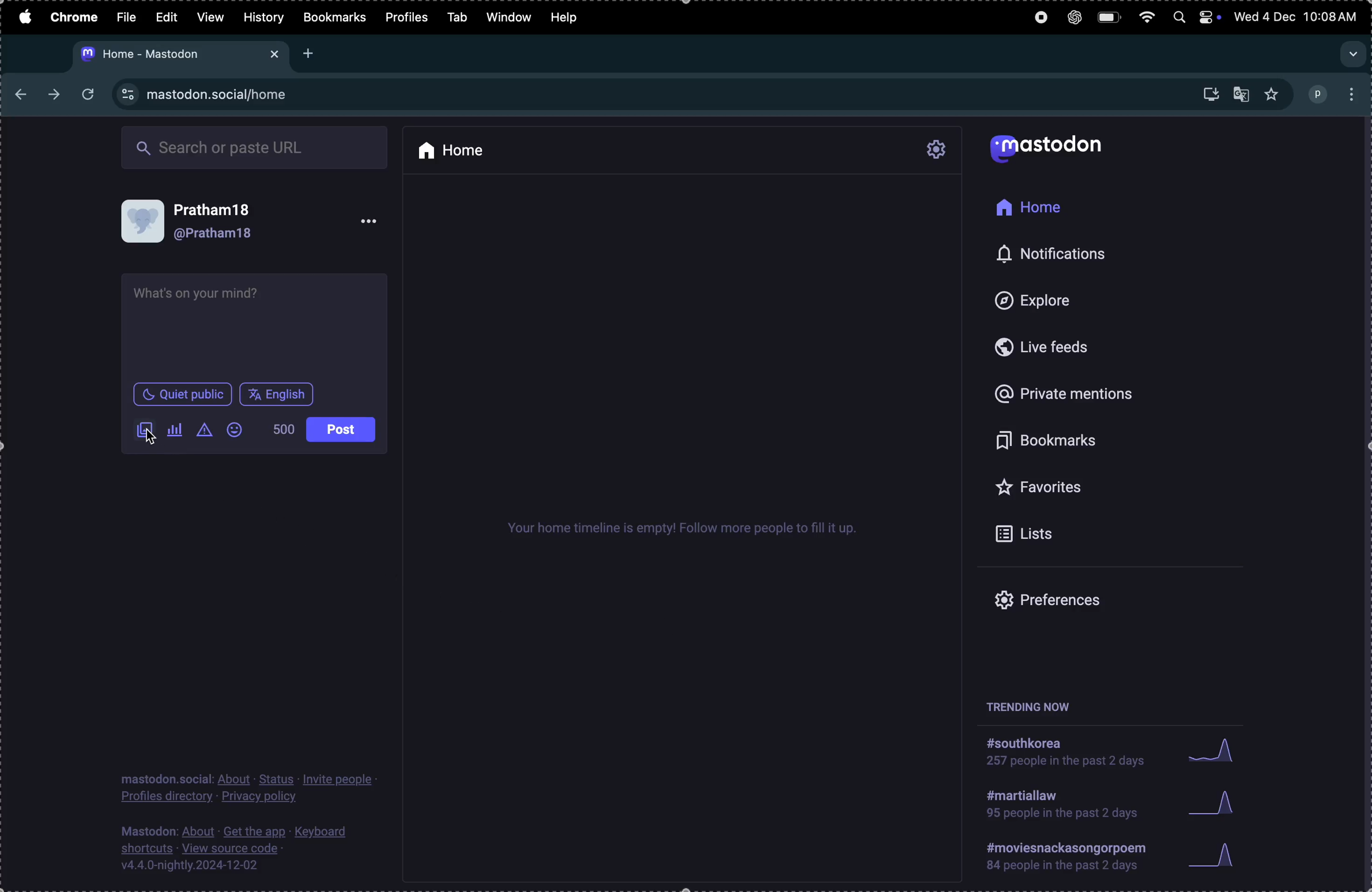  What do you see at coordinates (1044, 345) in the screenshot?
I see `live feeds` at bounding box center [1044, 345].